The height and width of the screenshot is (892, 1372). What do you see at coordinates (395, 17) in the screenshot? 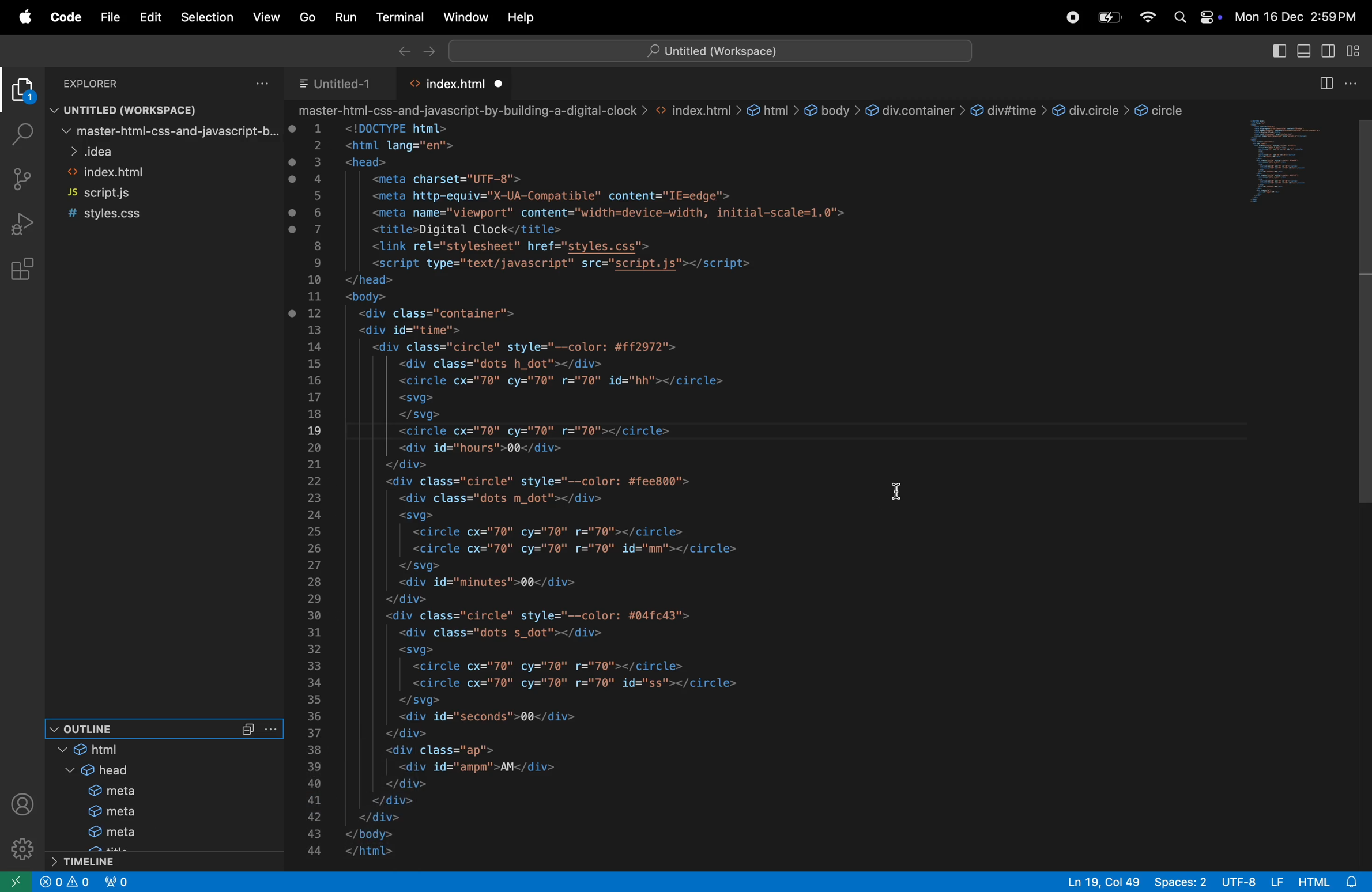
I see `terminal` at bounding box center [395, 17].